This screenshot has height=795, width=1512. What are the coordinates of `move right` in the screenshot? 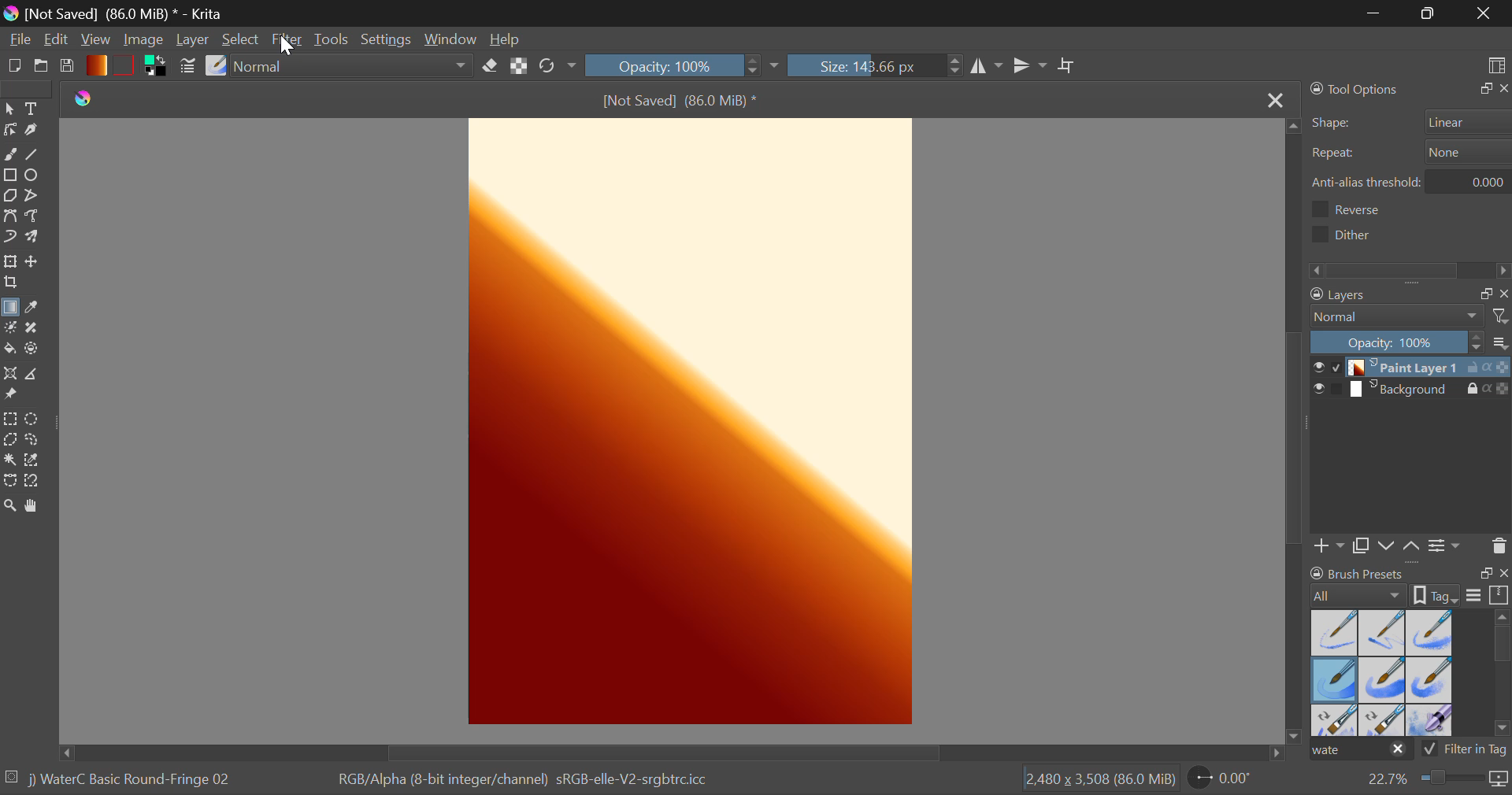 It's located at (1275, 751).